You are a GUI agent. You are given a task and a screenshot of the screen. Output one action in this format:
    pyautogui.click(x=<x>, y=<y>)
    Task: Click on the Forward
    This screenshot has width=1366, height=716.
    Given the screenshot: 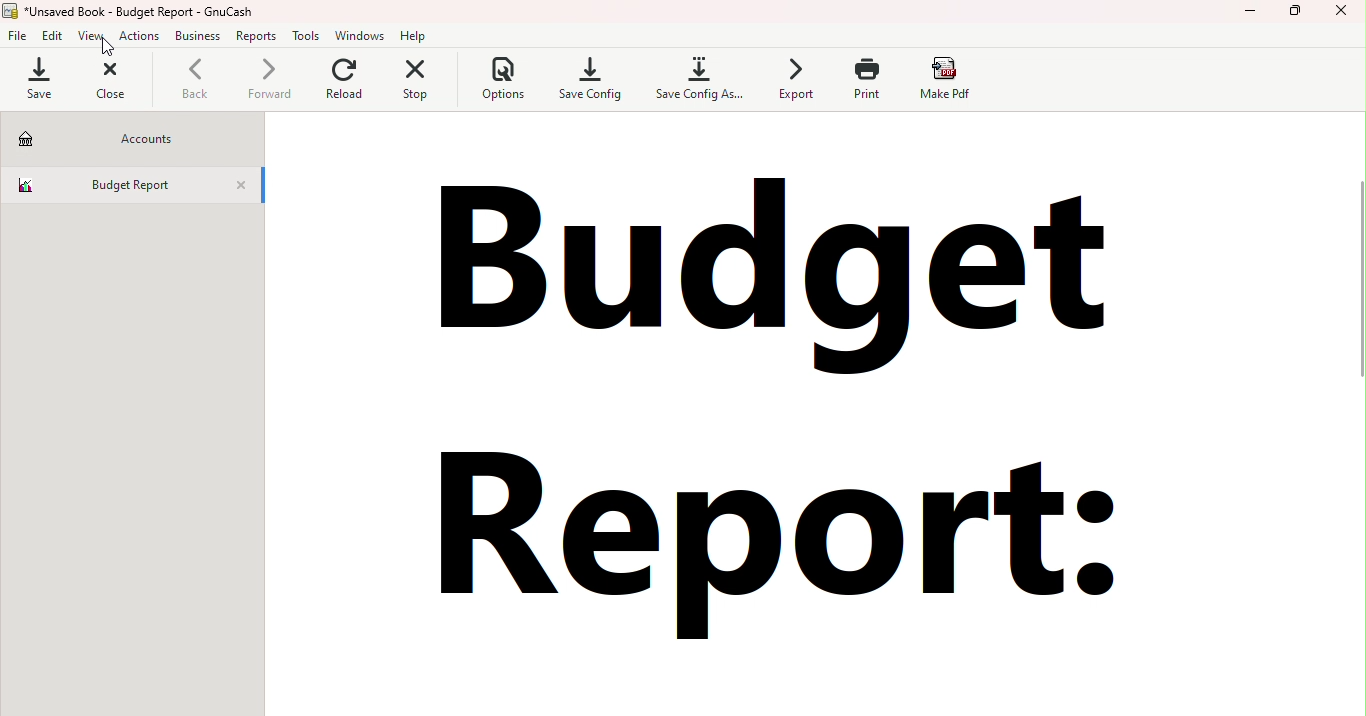 What is the action you would take?
    pyautogui.click(x=270, y=83)
    